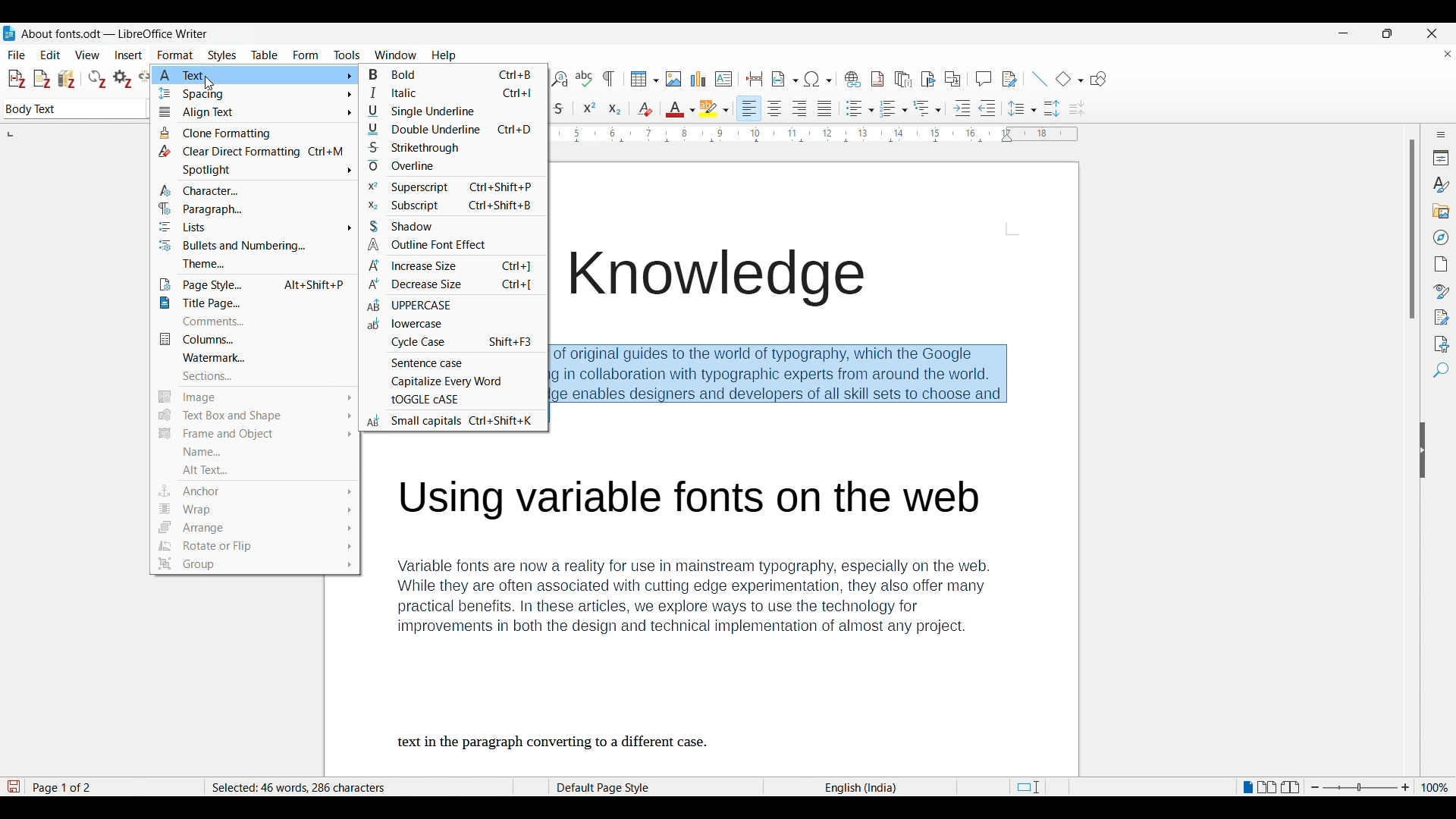 This screenshot has height=819, width=1456. What do you see at coordinates (698, 79) in the screenshot?
I see `Insert chart` at bounding box center [698, 79].